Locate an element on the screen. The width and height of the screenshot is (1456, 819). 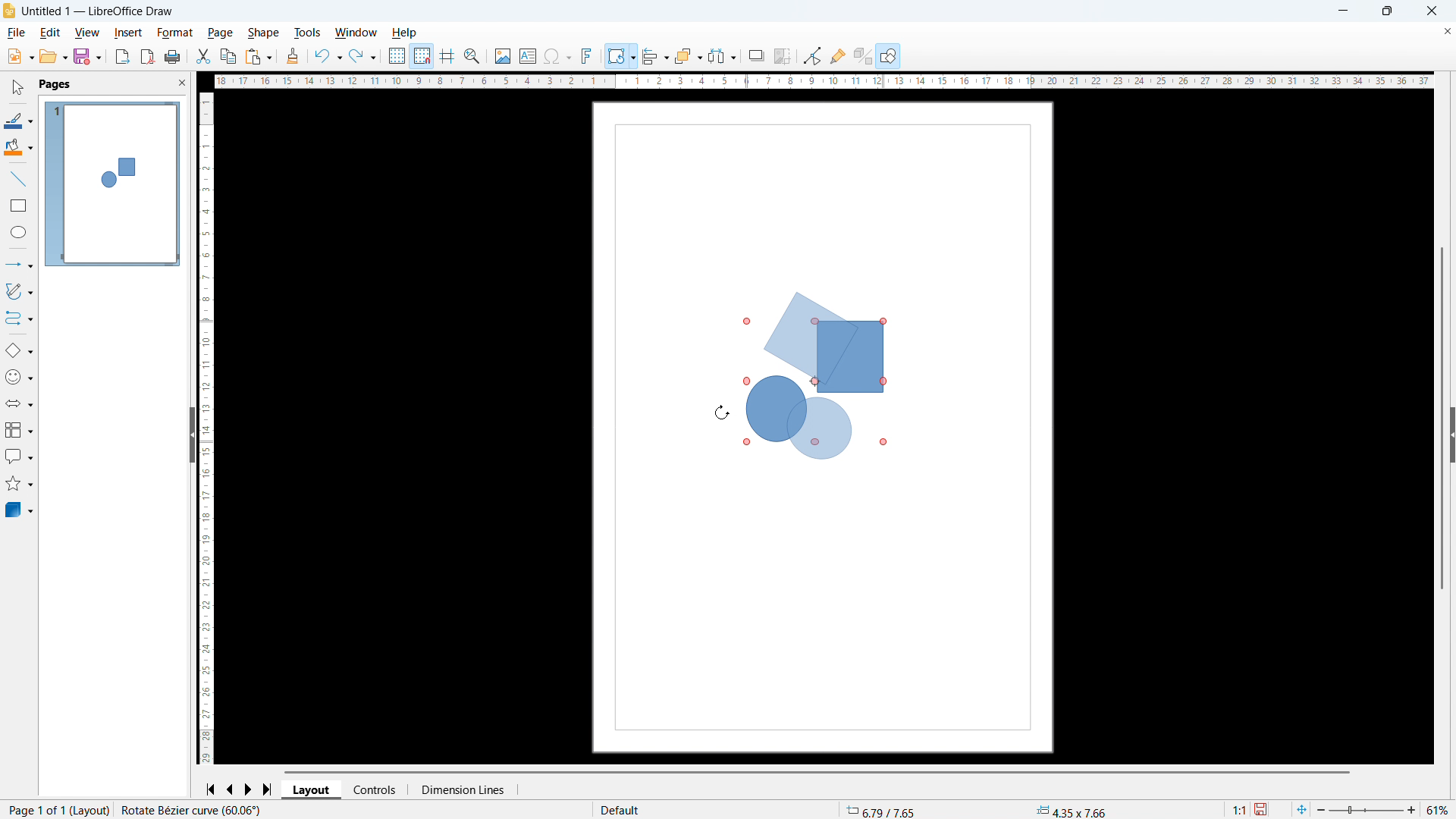
Object dimensions  is located at coordinates (1072, 811).